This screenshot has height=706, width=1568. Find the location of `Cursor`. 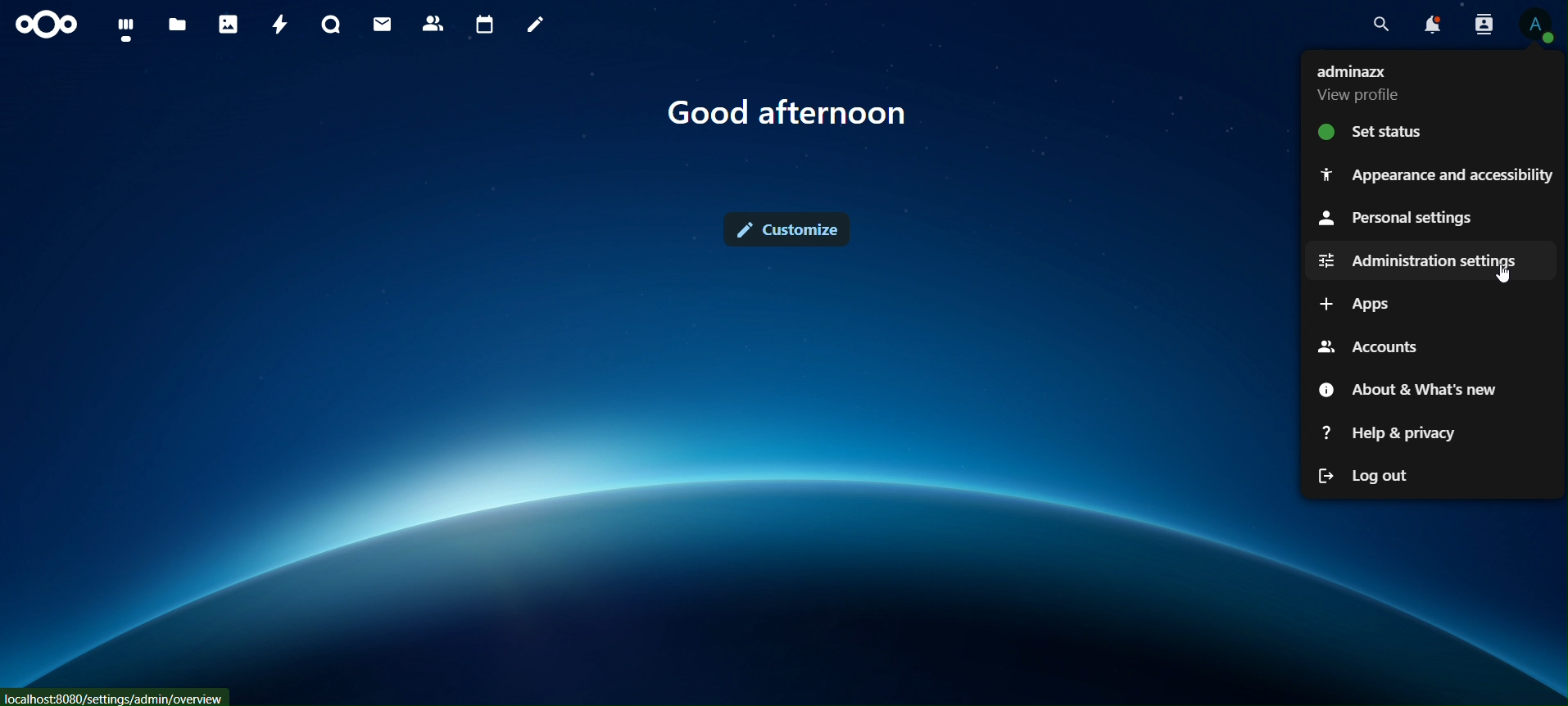

Cursor is located at coordinates (1510, 274).